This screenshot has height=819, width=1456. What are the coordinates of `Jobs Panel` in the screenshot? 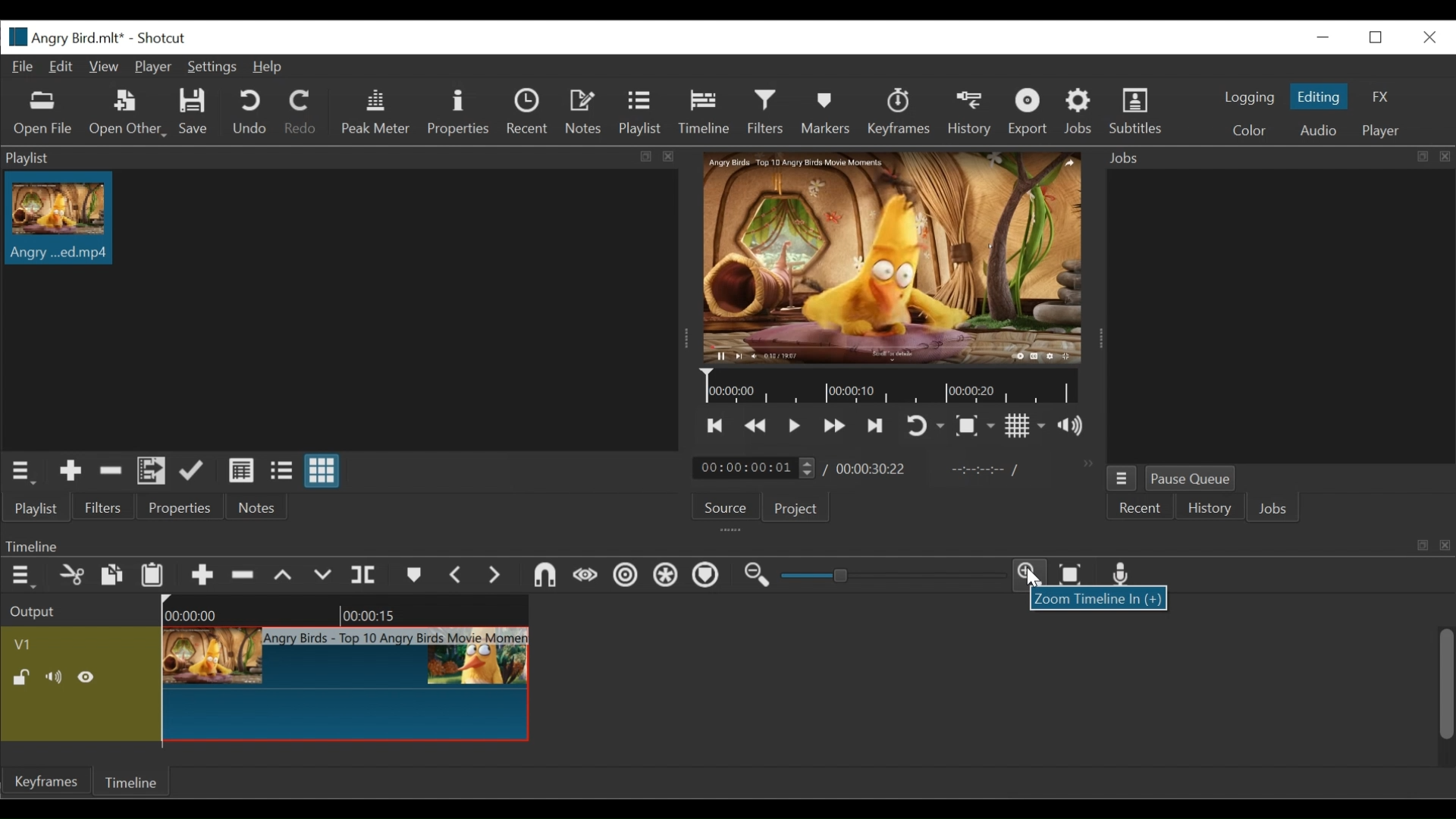 It's located at (1278, 157).